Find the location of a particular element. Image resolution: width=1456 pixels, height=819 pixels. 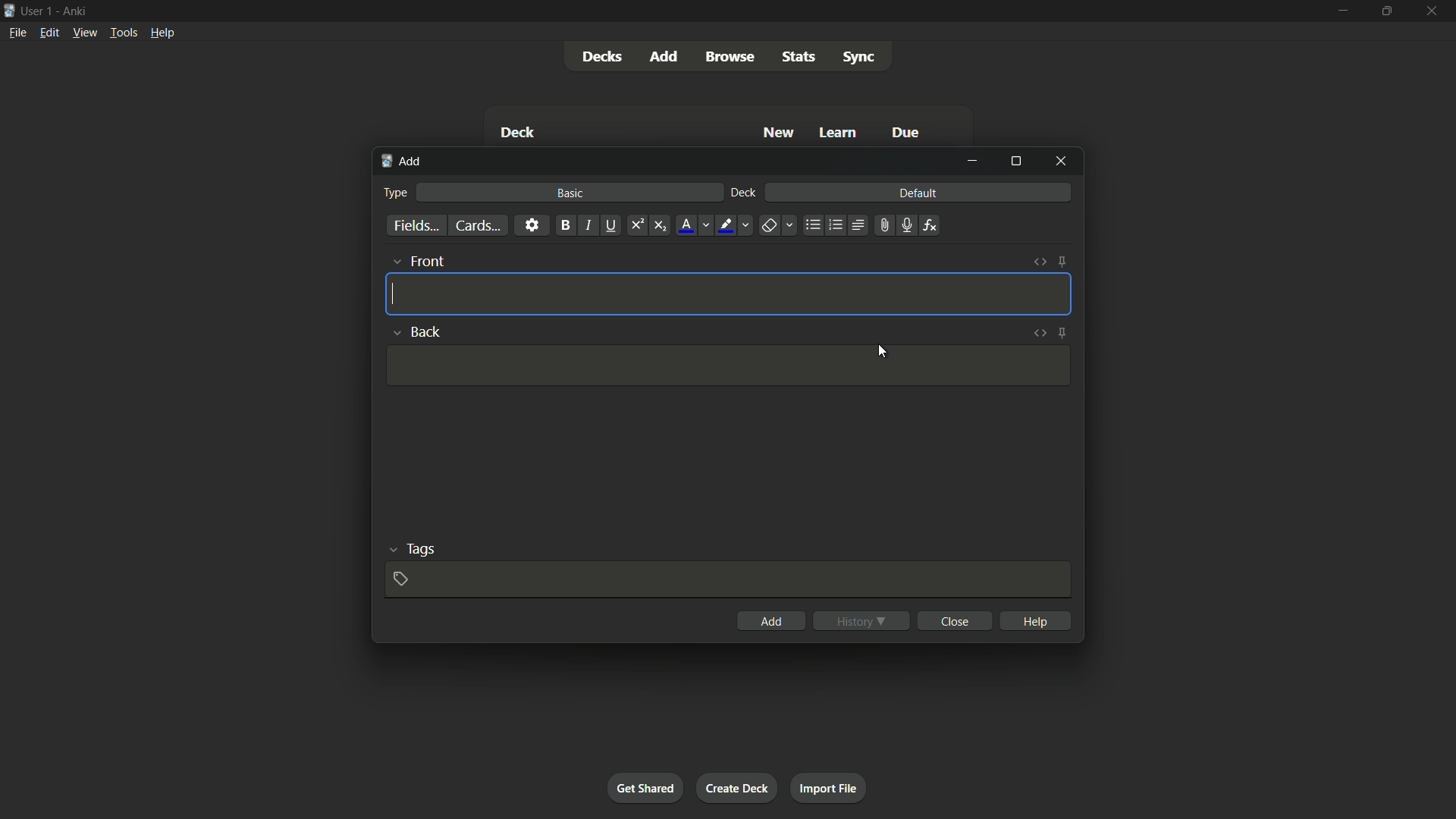

alignment is located at coordinates (858, 224).